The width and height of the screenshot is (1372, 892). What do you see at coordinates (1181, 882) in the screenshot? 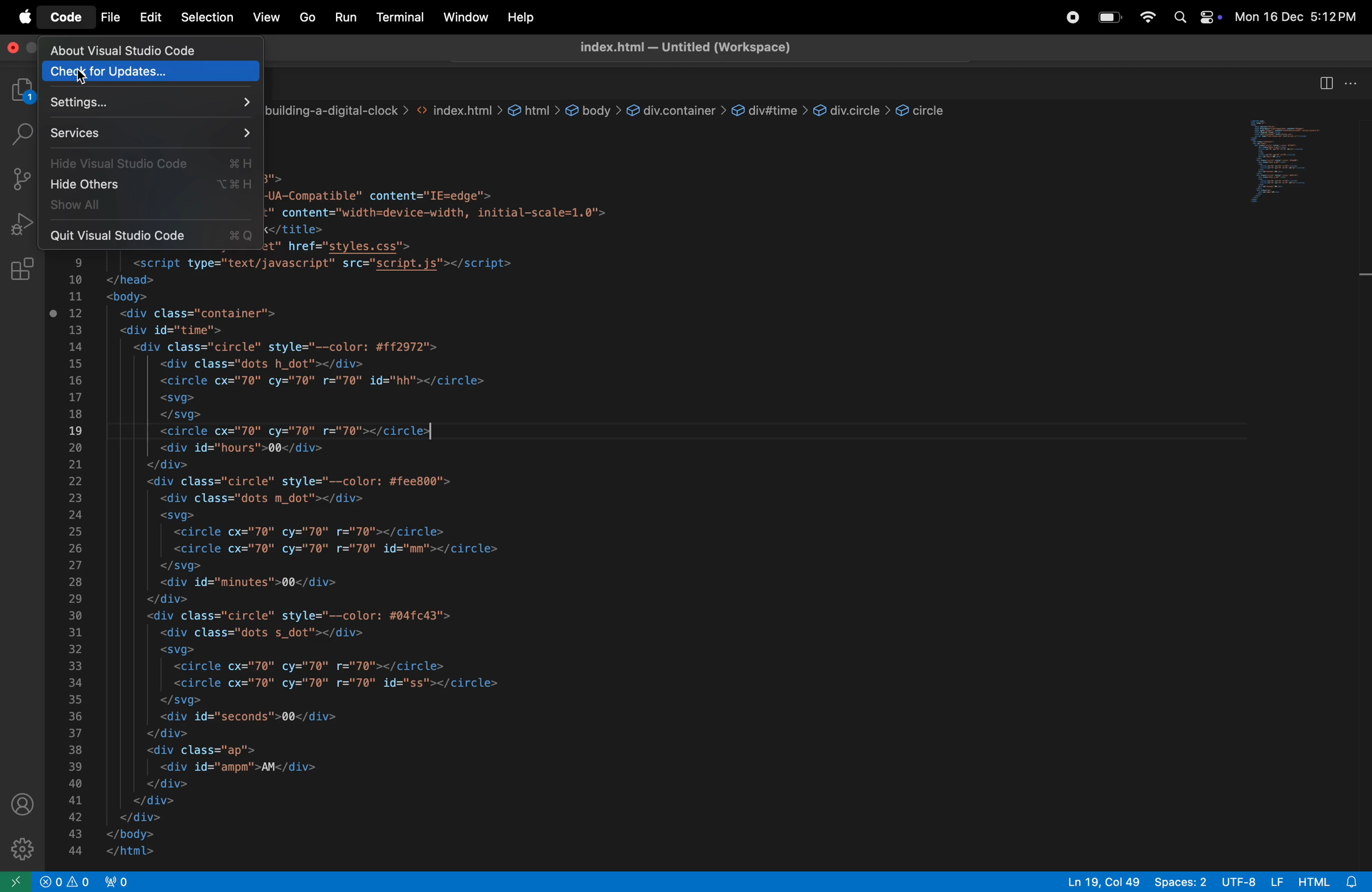
I see `spaces: 2` at bounding box center [1181, 882].